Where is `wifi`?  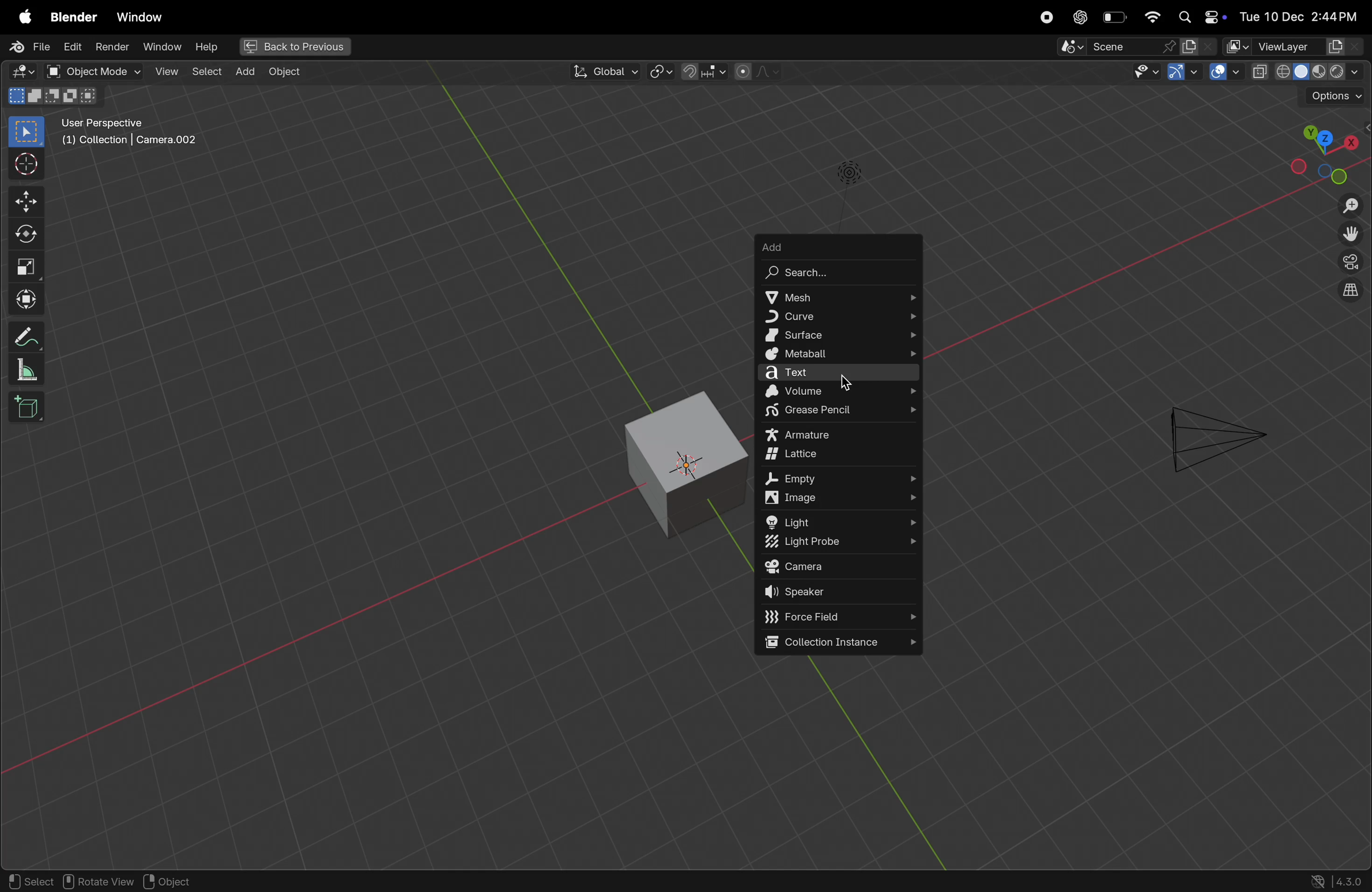
wifi is located at coordinates (1152, 17).